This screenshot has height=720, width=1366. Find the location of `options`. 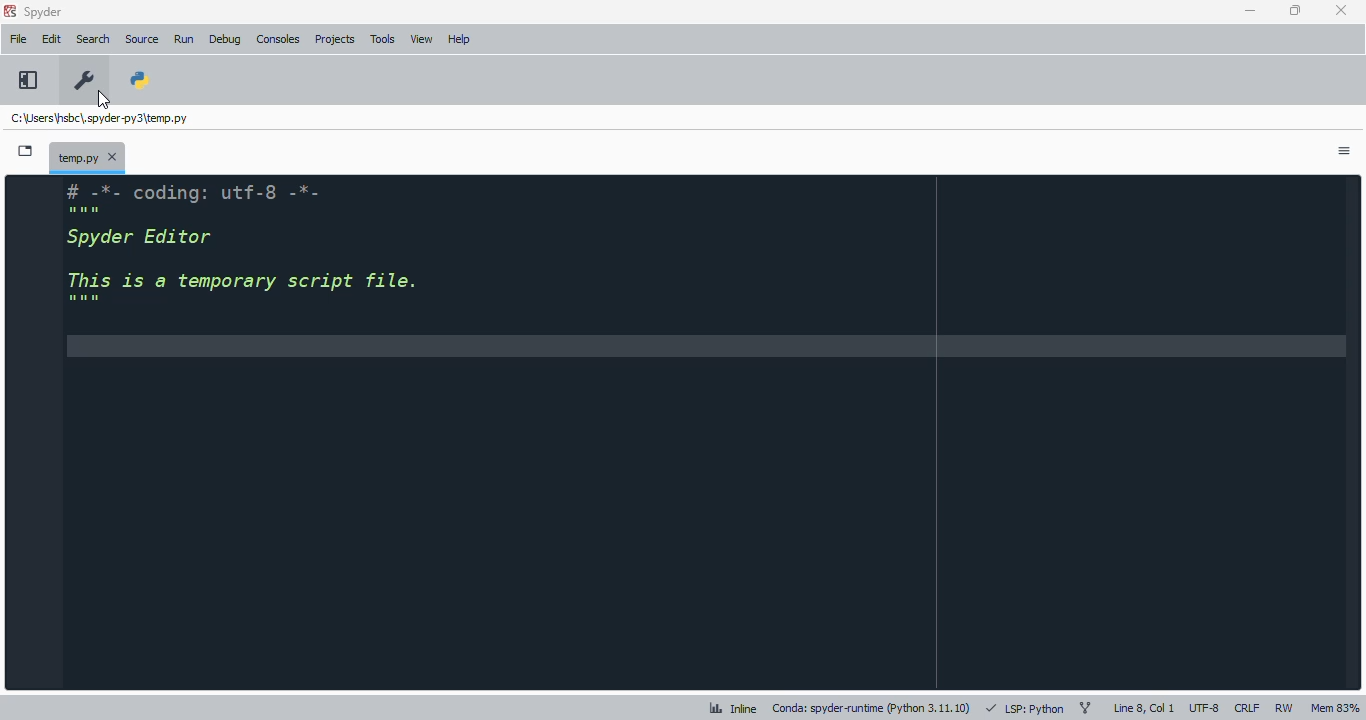

options is located at coordinates (1346, 153).